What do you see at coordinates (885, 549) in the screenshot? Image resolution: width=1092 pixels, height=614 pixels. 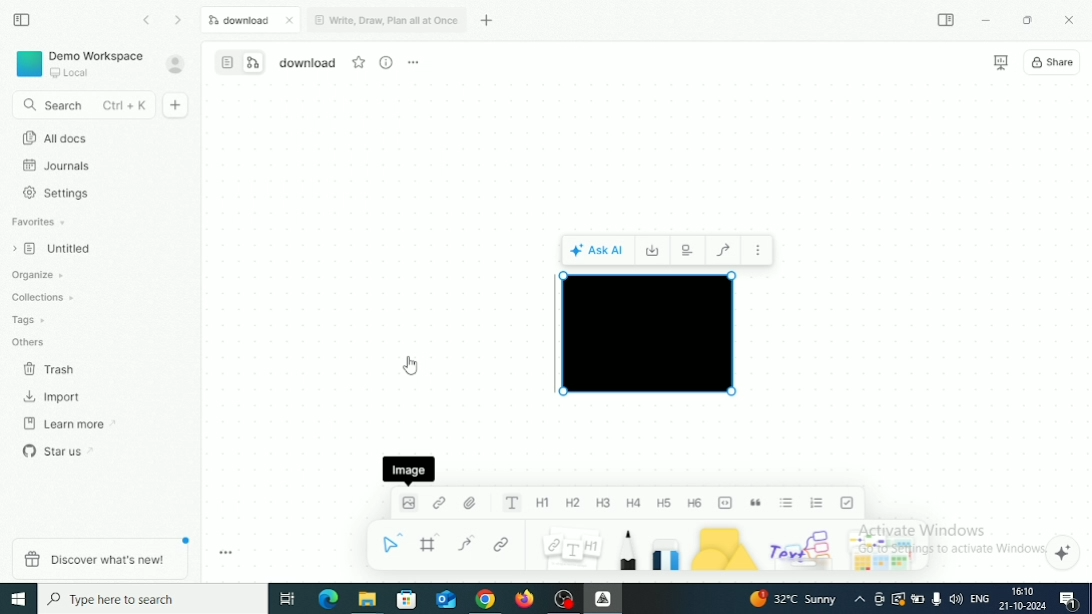 I see `Arrows and stickers` at bounding box center [885, 549].